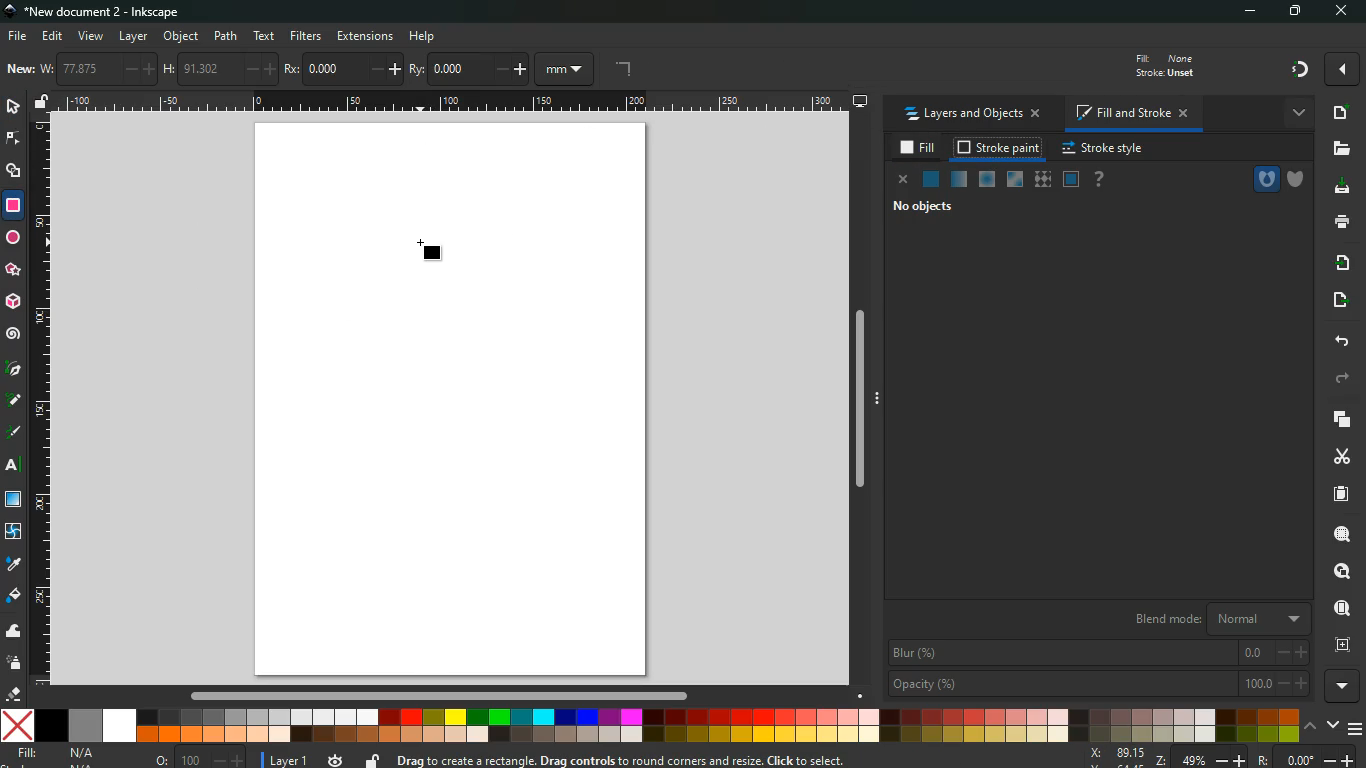 This screenshot has width=1366, height=768. Describe the element at coordinates (1344, 421) in the screenshot. I see `layers` at that location.